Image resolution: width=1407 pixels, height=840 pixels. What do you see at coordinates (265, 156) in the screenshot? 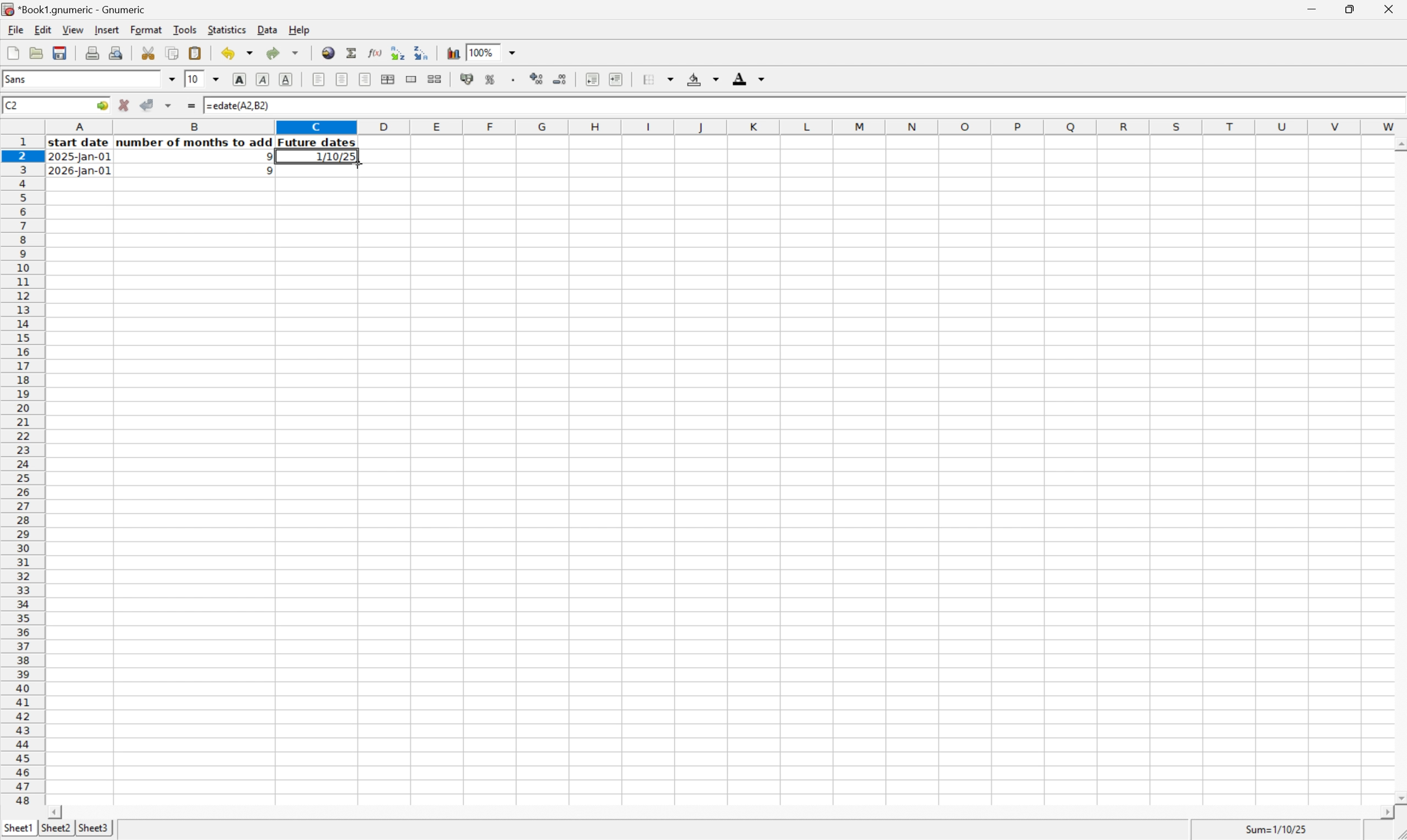
I see `9` at bounding box center [265, 156].